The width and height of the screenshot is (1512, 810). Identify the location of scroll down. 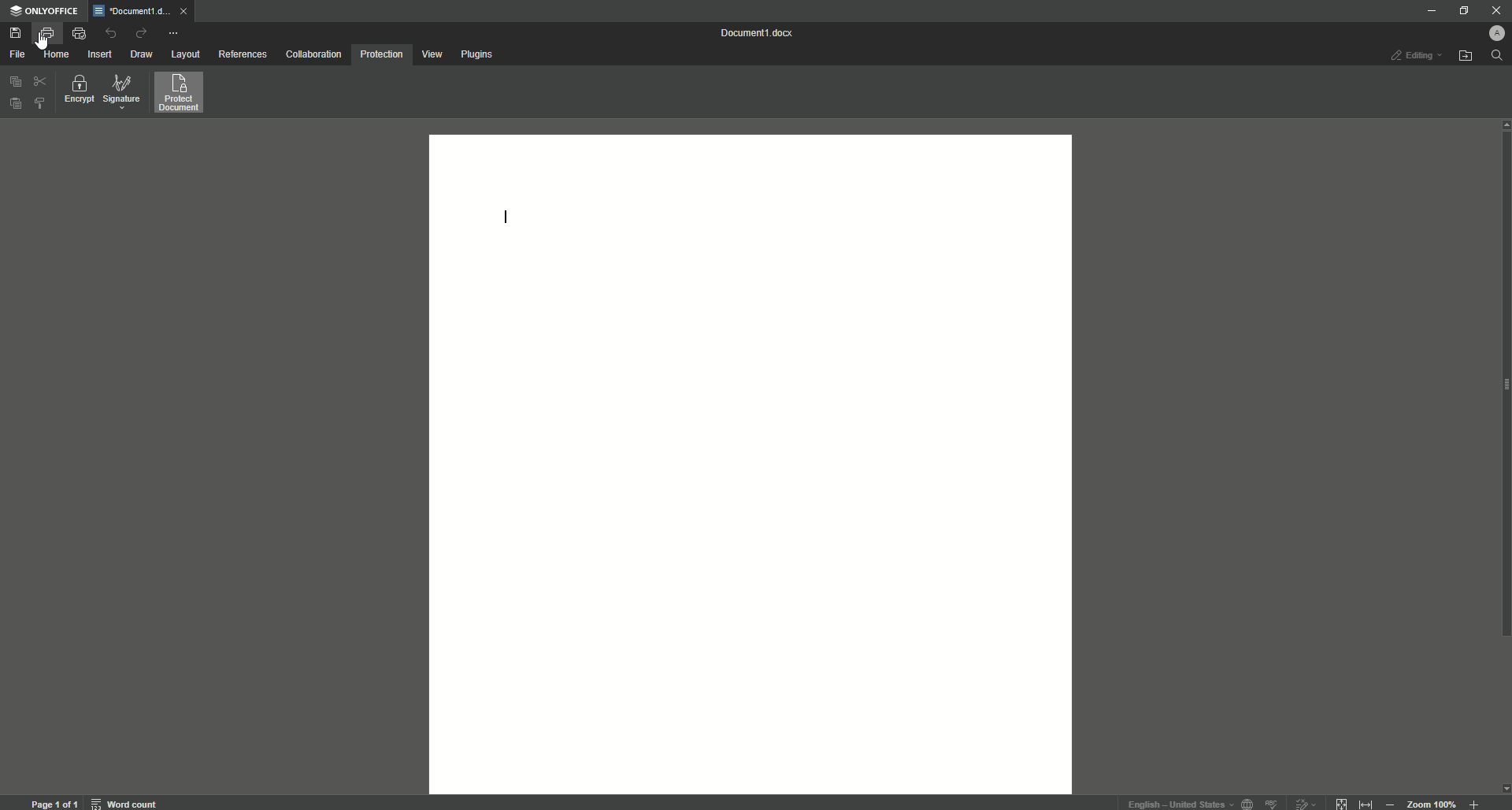
(1503, 788).